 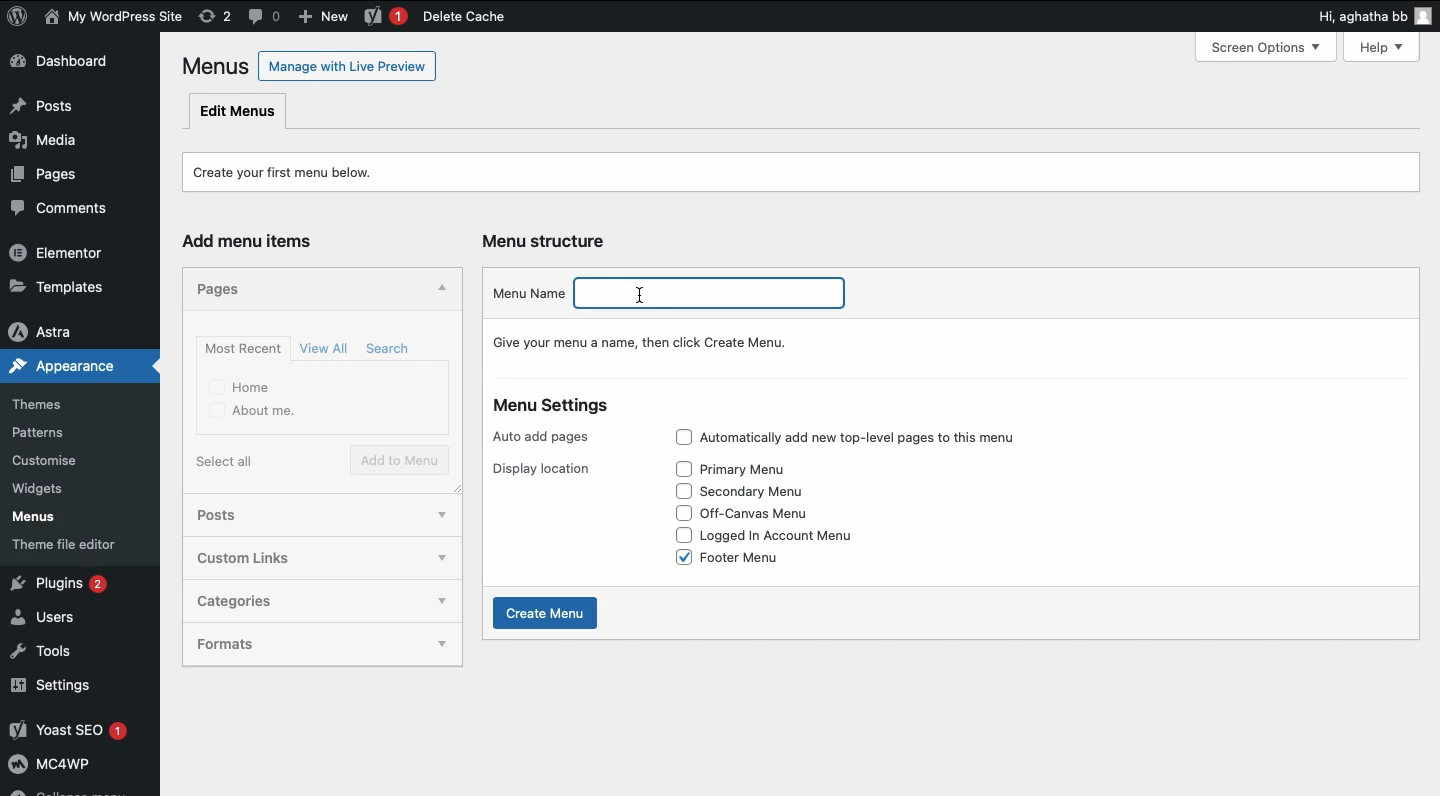 What do you see at coordinates (224, 461) in the screenshot?
I see `Select all` at bounding box center [224, 461].